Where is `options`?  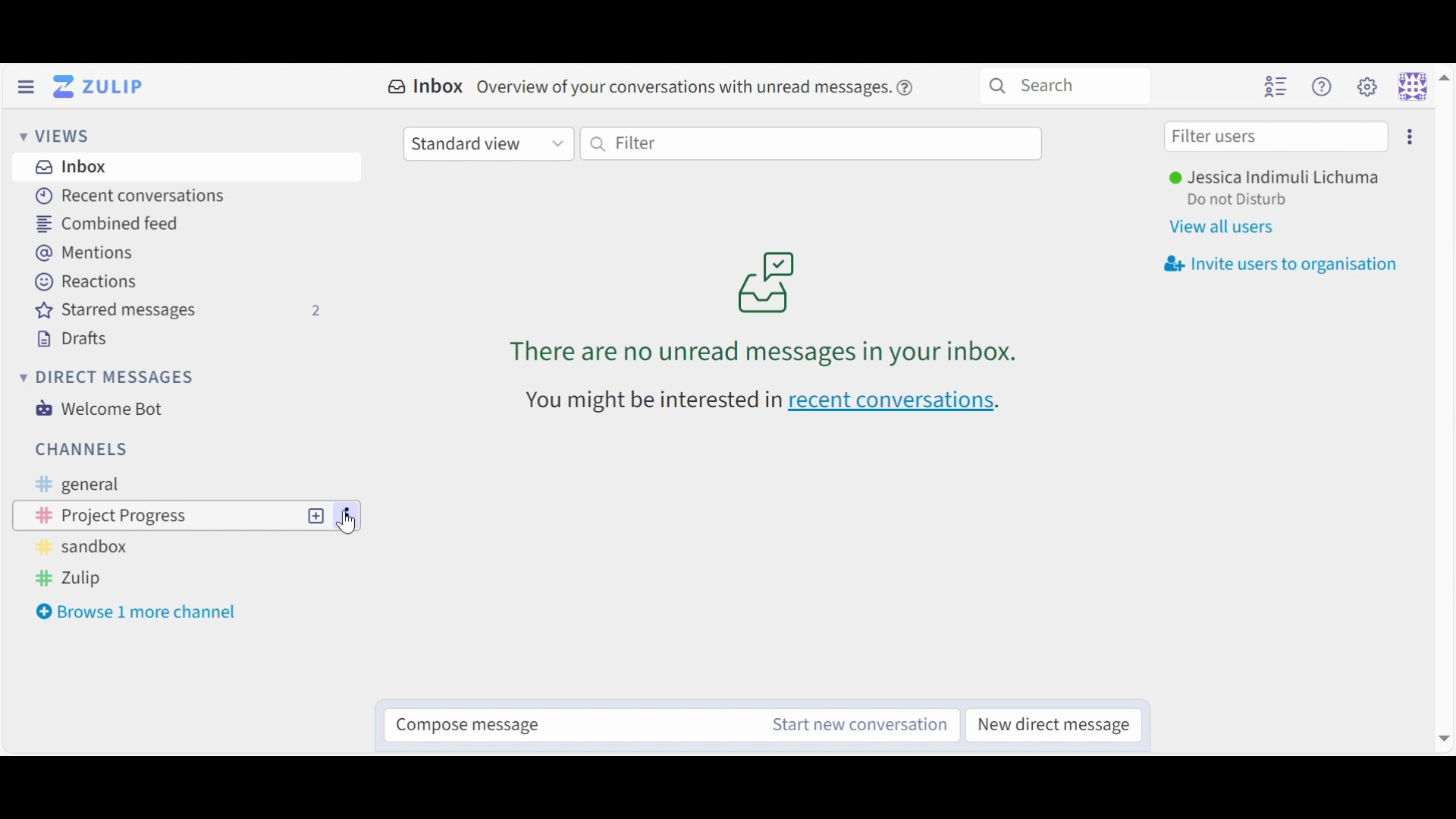 options is located at coordinates (349, 519).